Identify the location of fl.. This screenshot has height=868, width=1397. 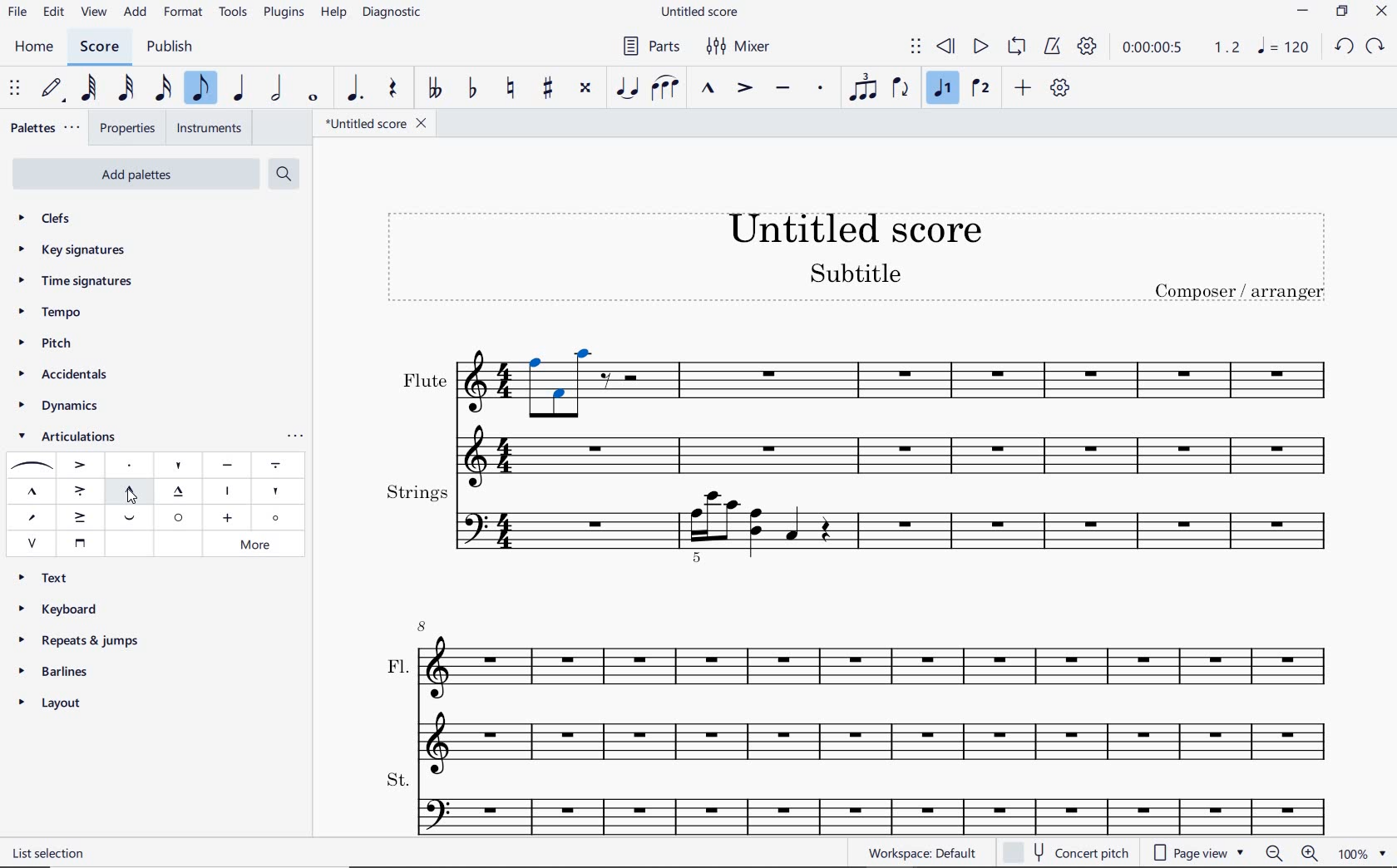
(876, 692).